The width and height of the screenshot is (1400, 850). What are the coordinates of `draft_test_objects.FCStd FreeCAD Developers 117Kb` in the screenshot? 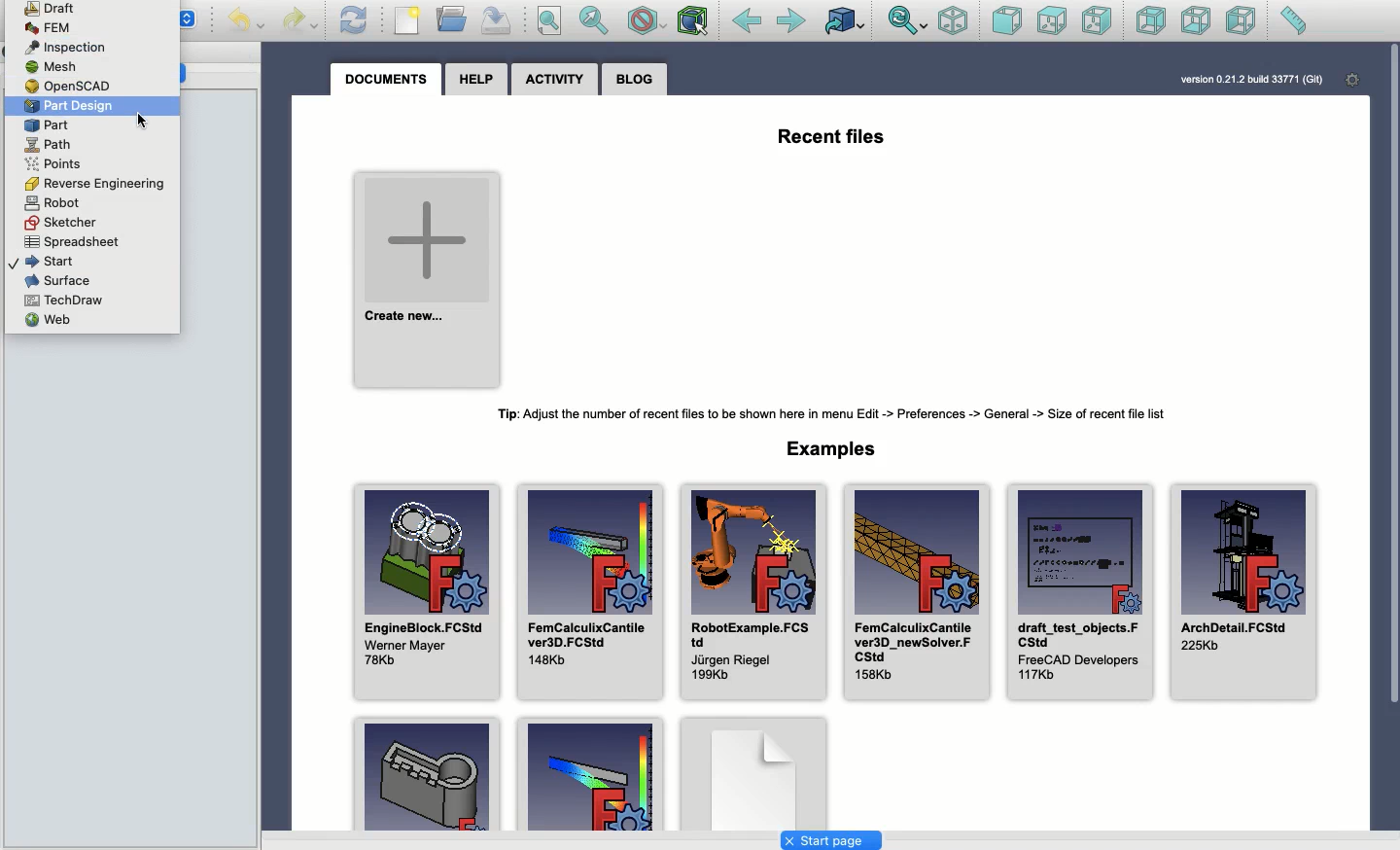 It's located at (1080, 592).